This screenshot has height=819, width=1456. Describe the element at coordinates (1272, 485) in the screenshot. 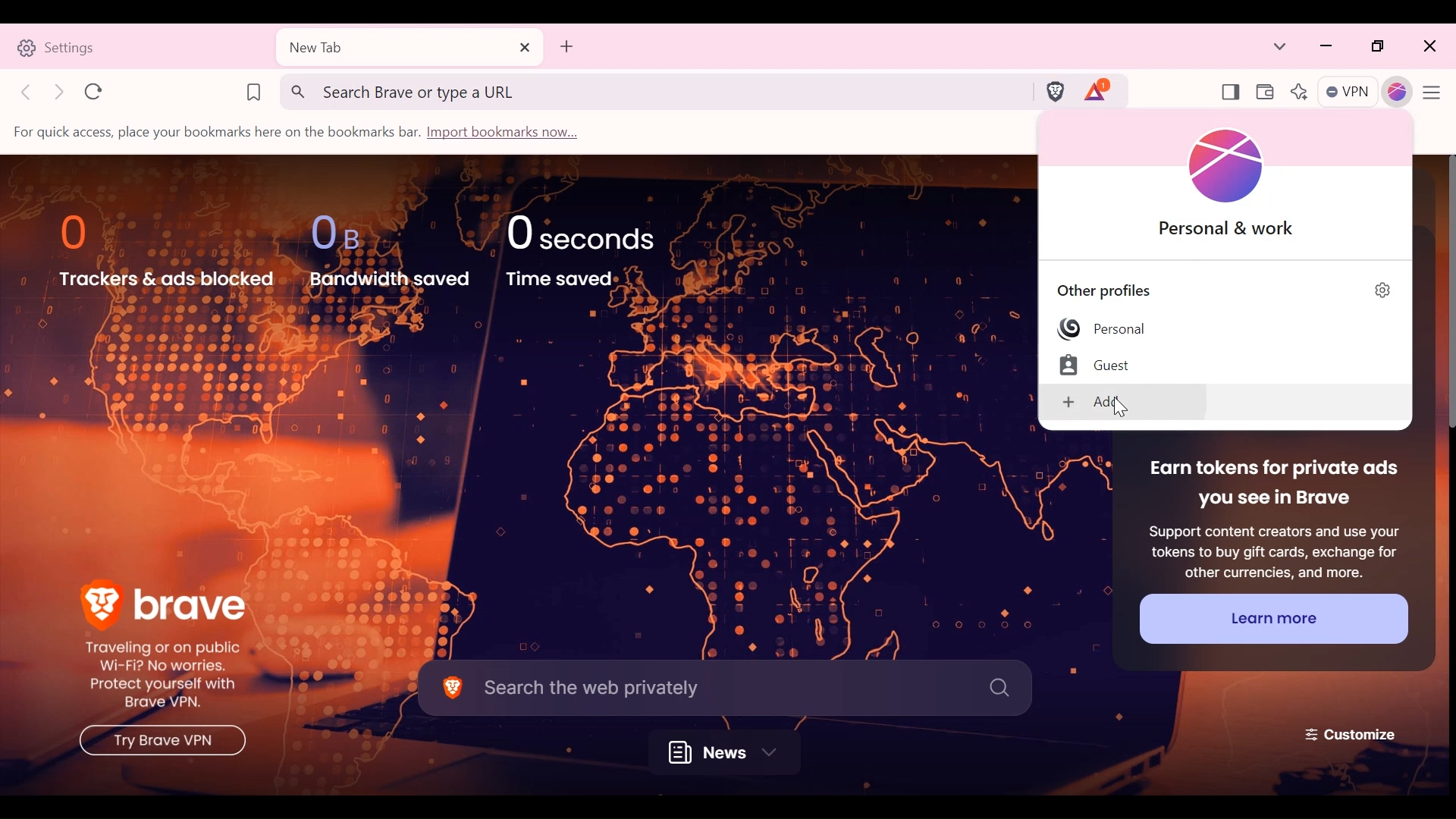

I see `Earn tokens for private ads you see in breave` at that location.